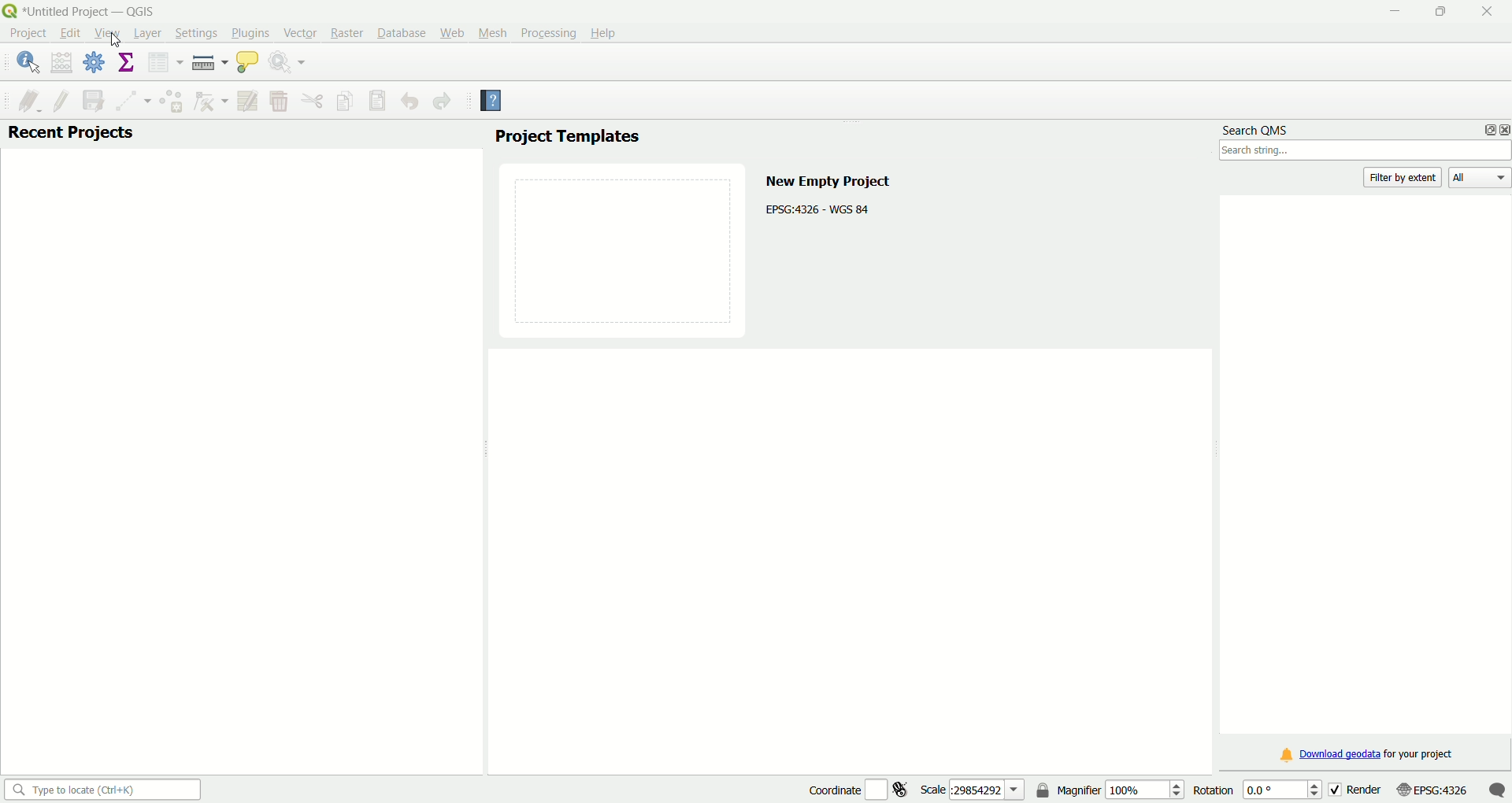  Describe the element at coordinates (82, 10) in the screenshot. I see `logo and title` at that location.